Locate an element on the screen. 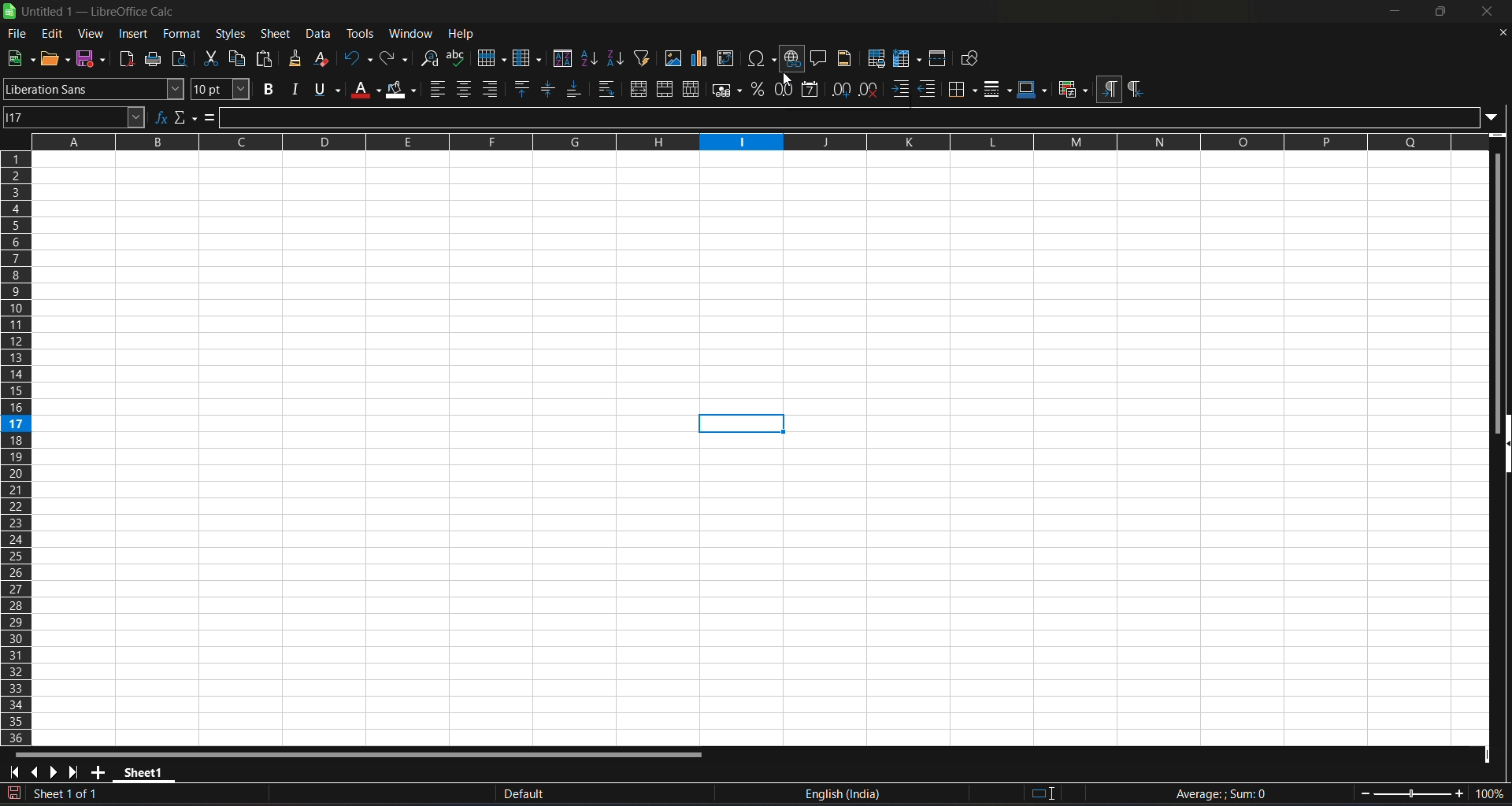 This screenshot has height=806, width=1512. sort ascending is located at coordinates (591, 58).